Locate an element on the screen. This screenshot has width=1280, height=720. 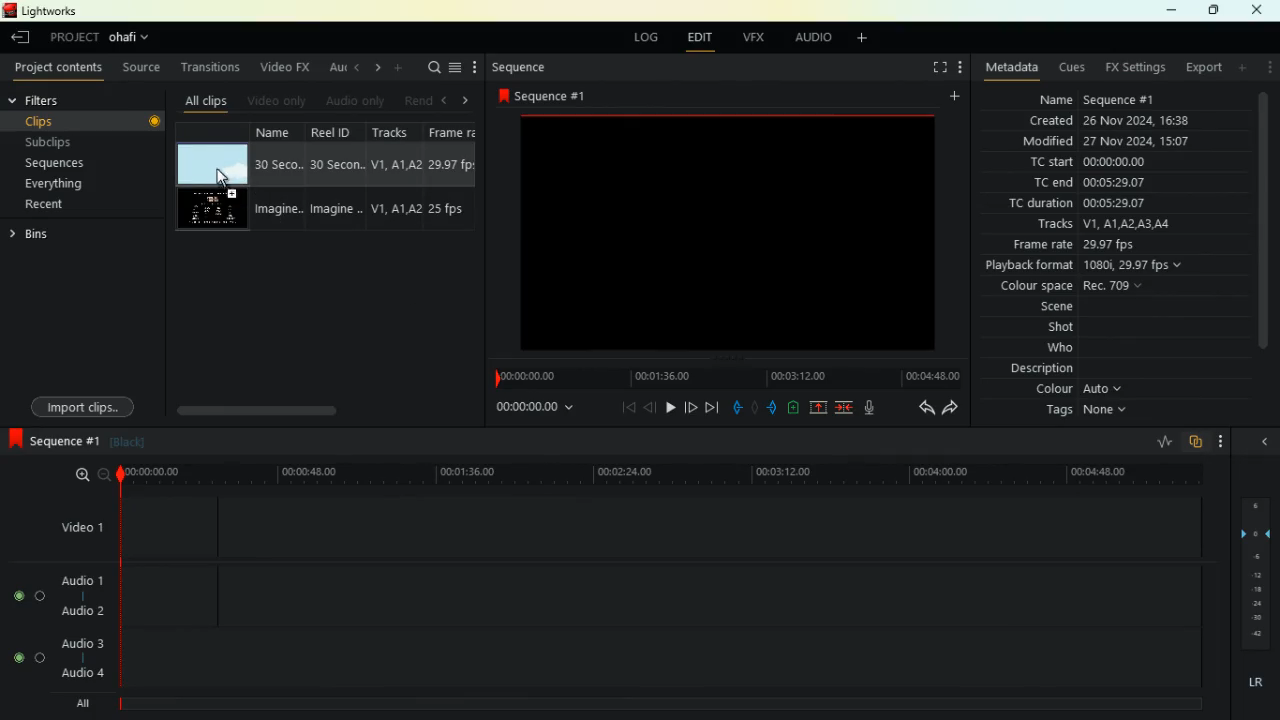
left is located at coordinates (446, 102).